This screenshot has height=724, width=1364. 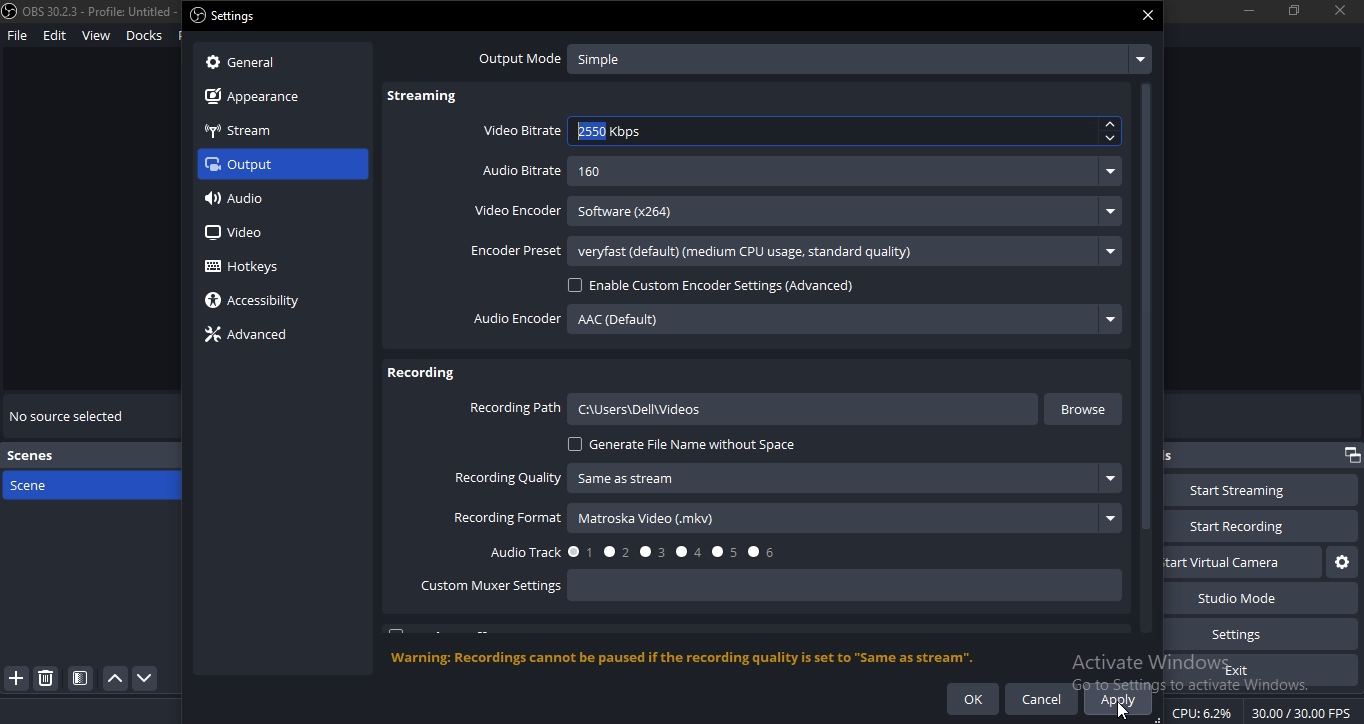 What do you see at coordinates (116, 679) in the screenshot?
I see `move scene up ` at bounding box center [116, 679].